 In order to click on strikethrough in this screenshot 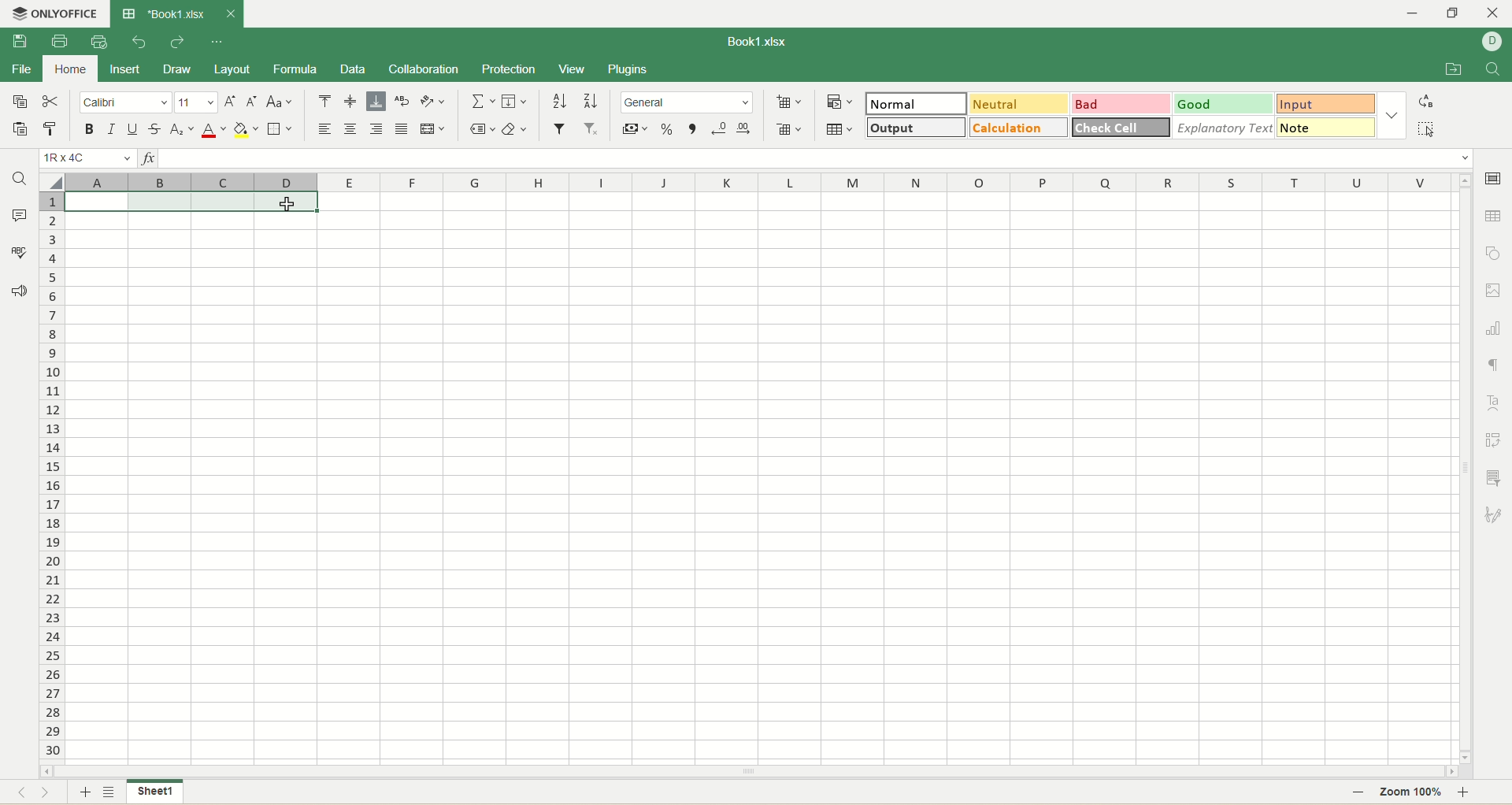, I will do `click(157, 128)`.